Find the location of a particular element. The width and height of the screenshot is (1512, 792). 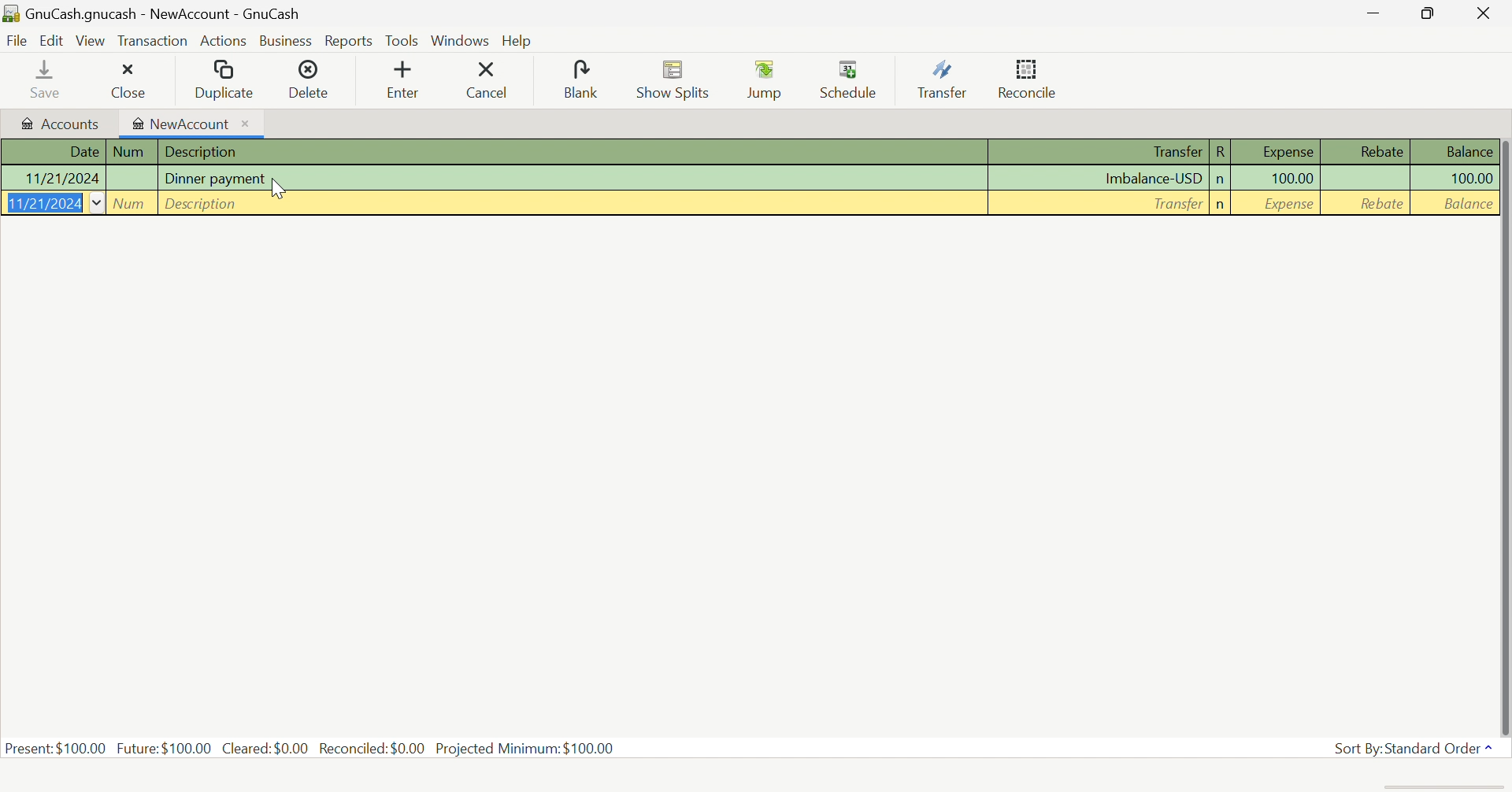

Balance is located at coordinates (1466, 150).